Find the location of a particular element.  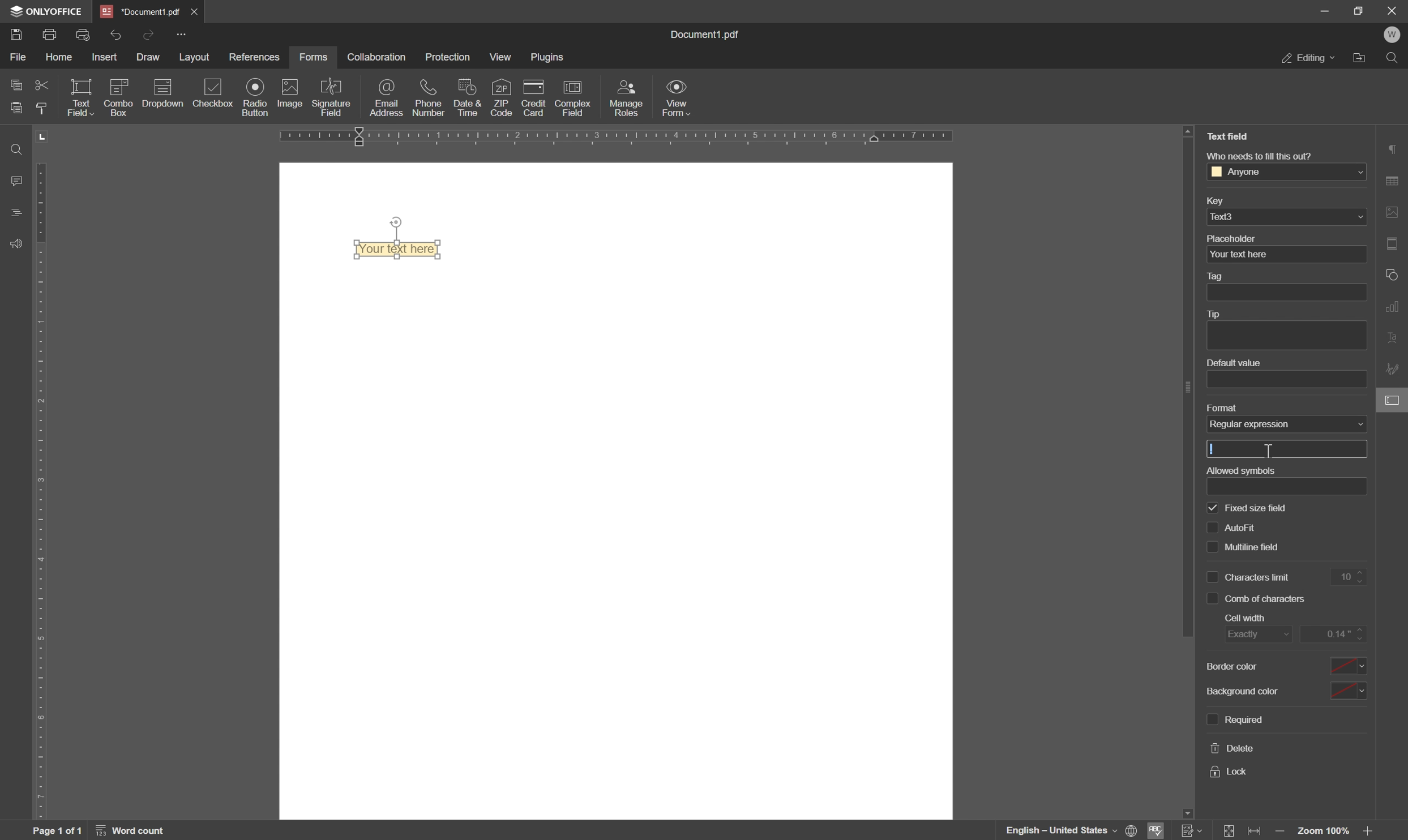

date and time is located at coordinates (467, 98).